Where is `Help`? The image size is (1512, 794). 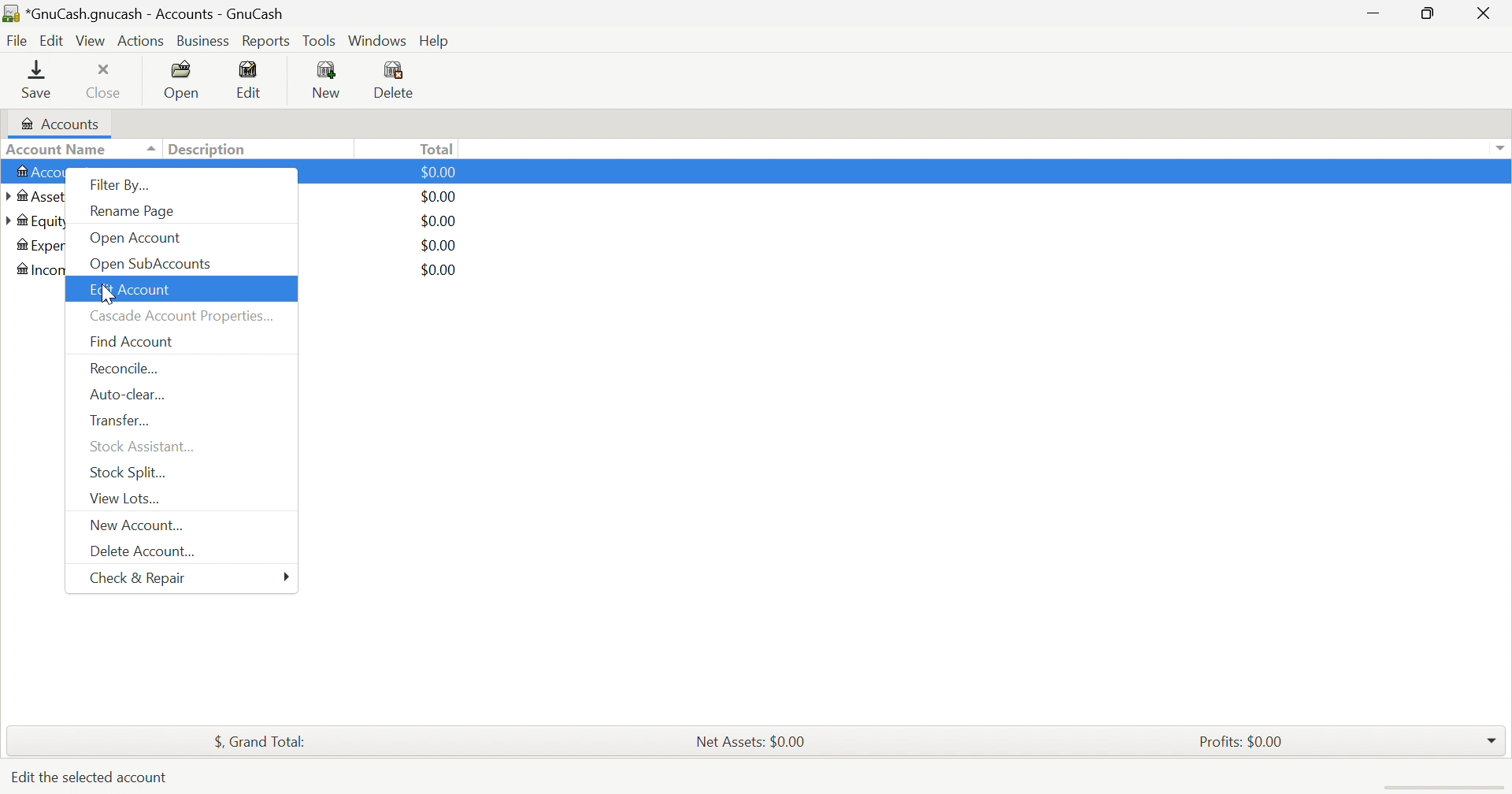
Help is located at coordinates (436, 42).